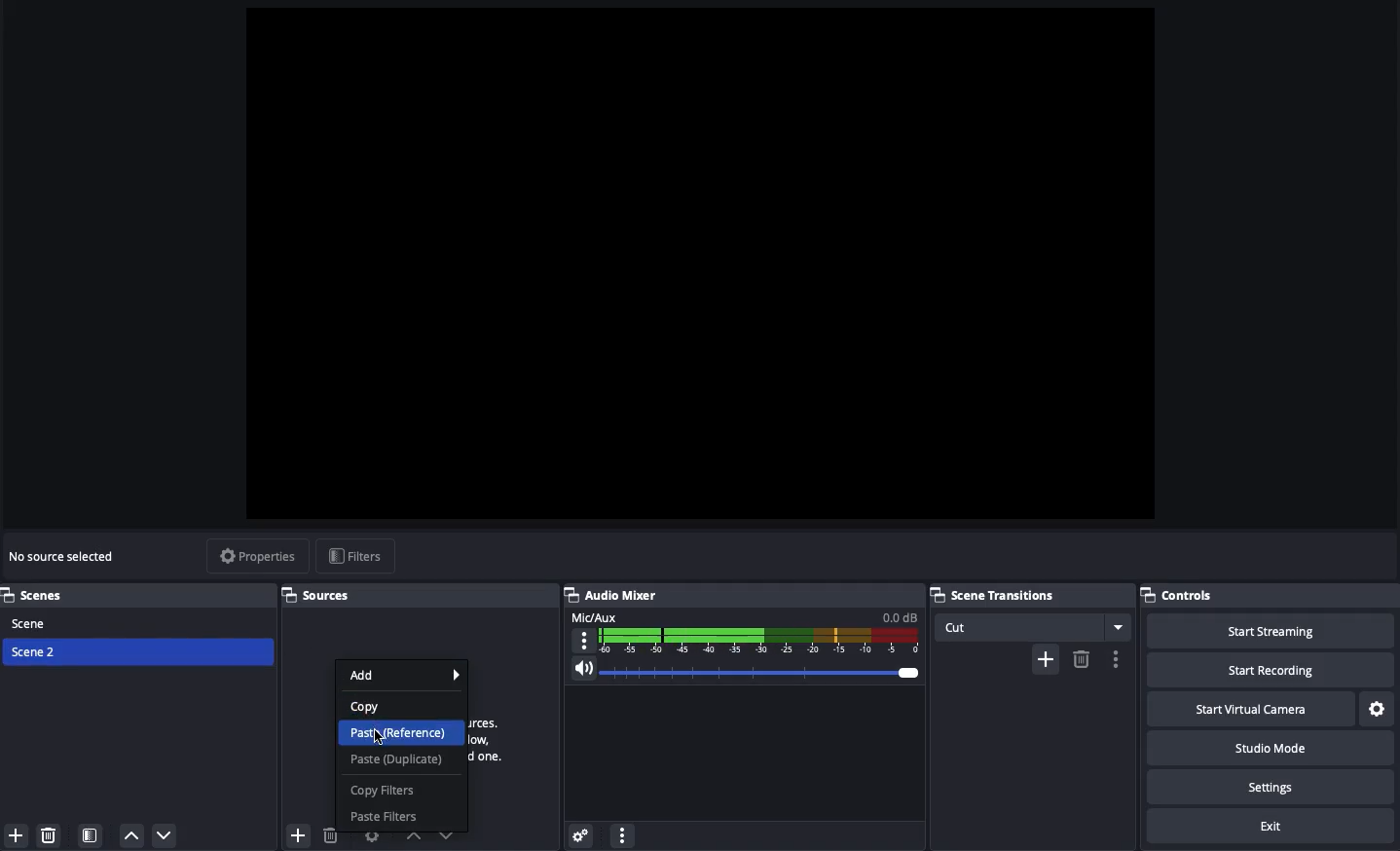  I want to click on No sources selected , so click(69, 558).